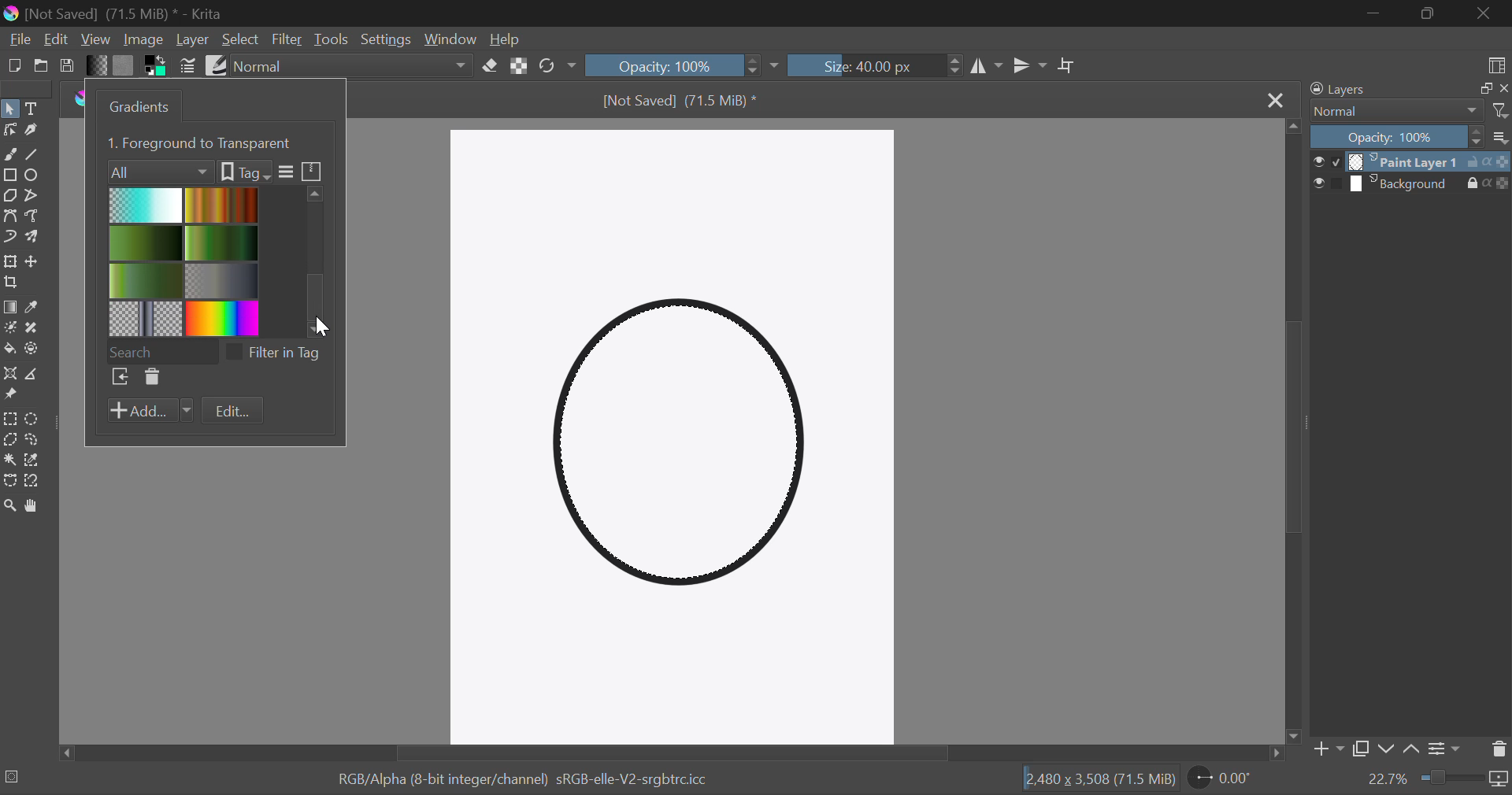  What do you see at coordinates (202, 144) in the screenshot?
I see `1. Foreground to Transparent` at bounding box center [202, 144].